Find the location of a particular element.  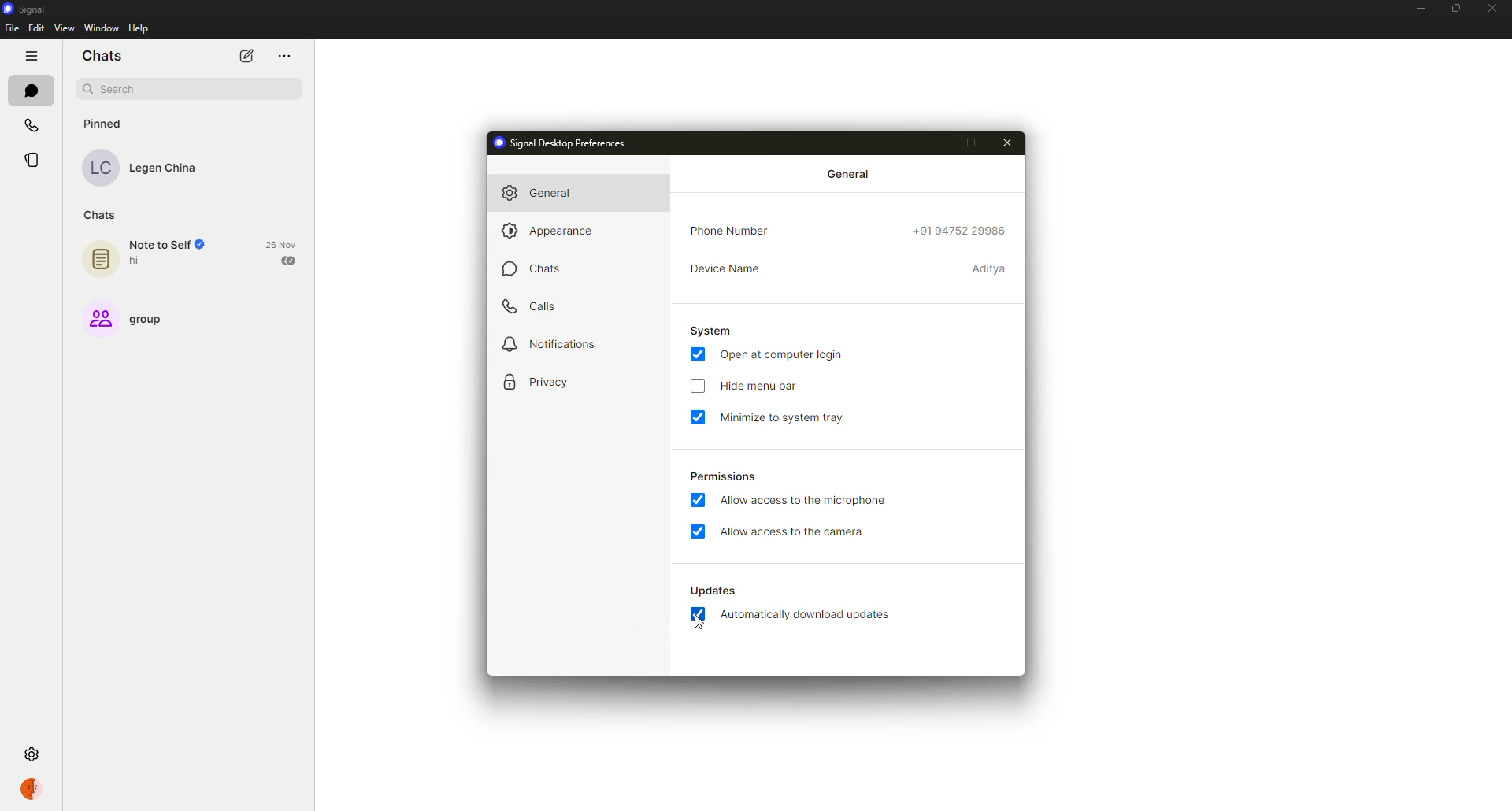

phone number is located at coordinates (962, 231).